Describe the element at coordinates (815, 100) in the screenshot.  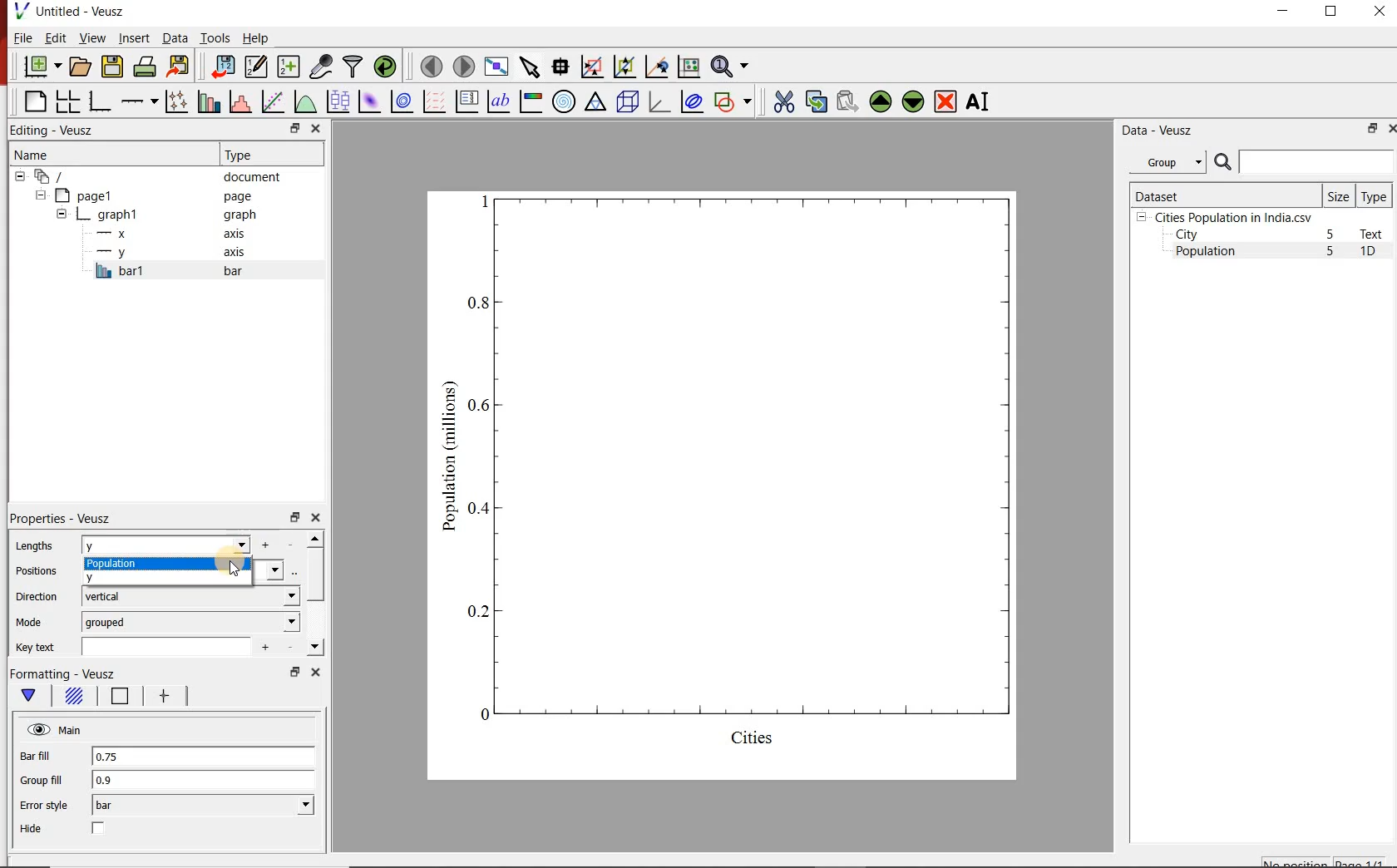
I see `copy the selected widget` at that location.